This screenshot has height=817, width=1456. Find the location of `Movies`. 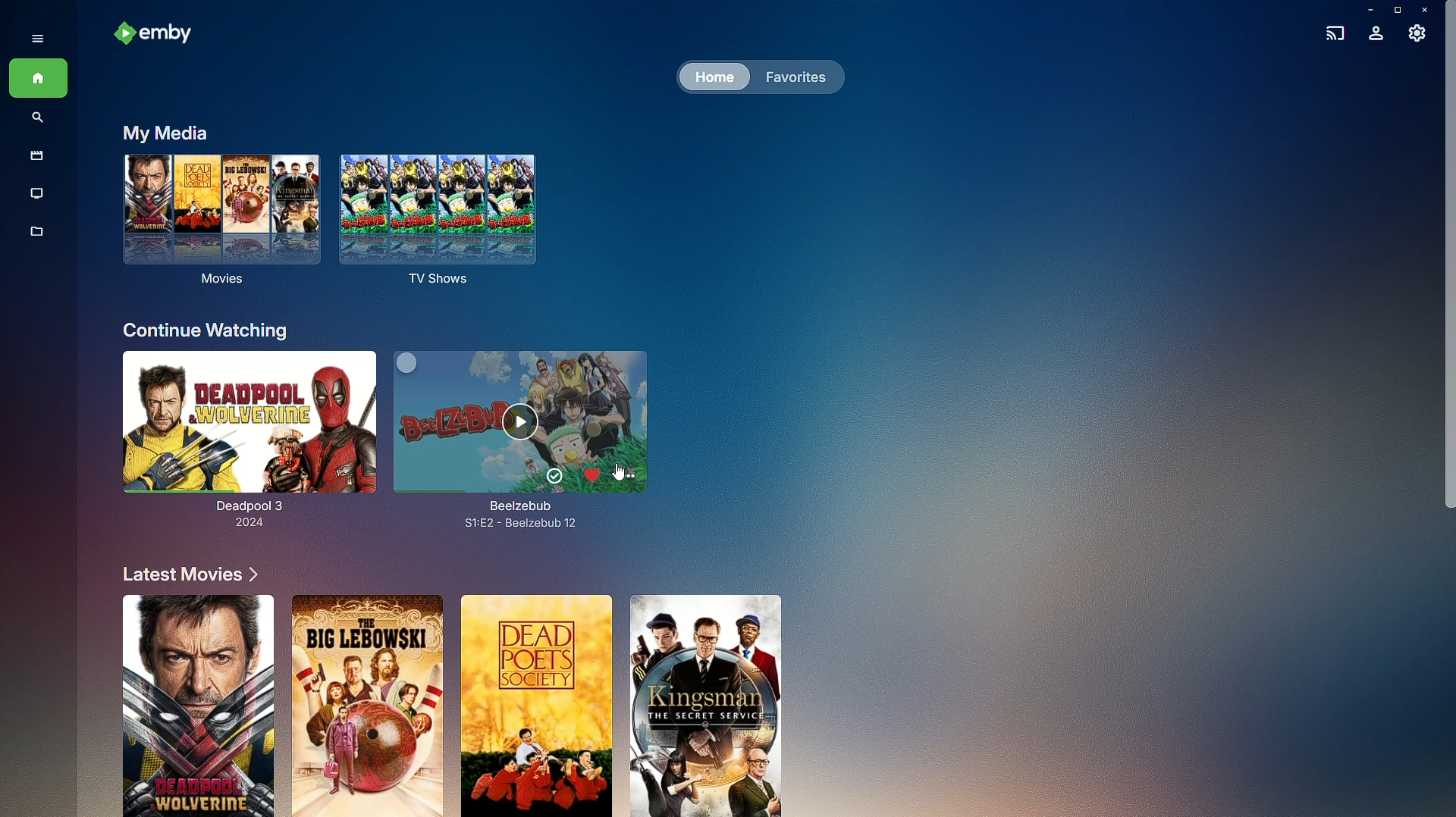

Movies is located at coordinates (33, 157).